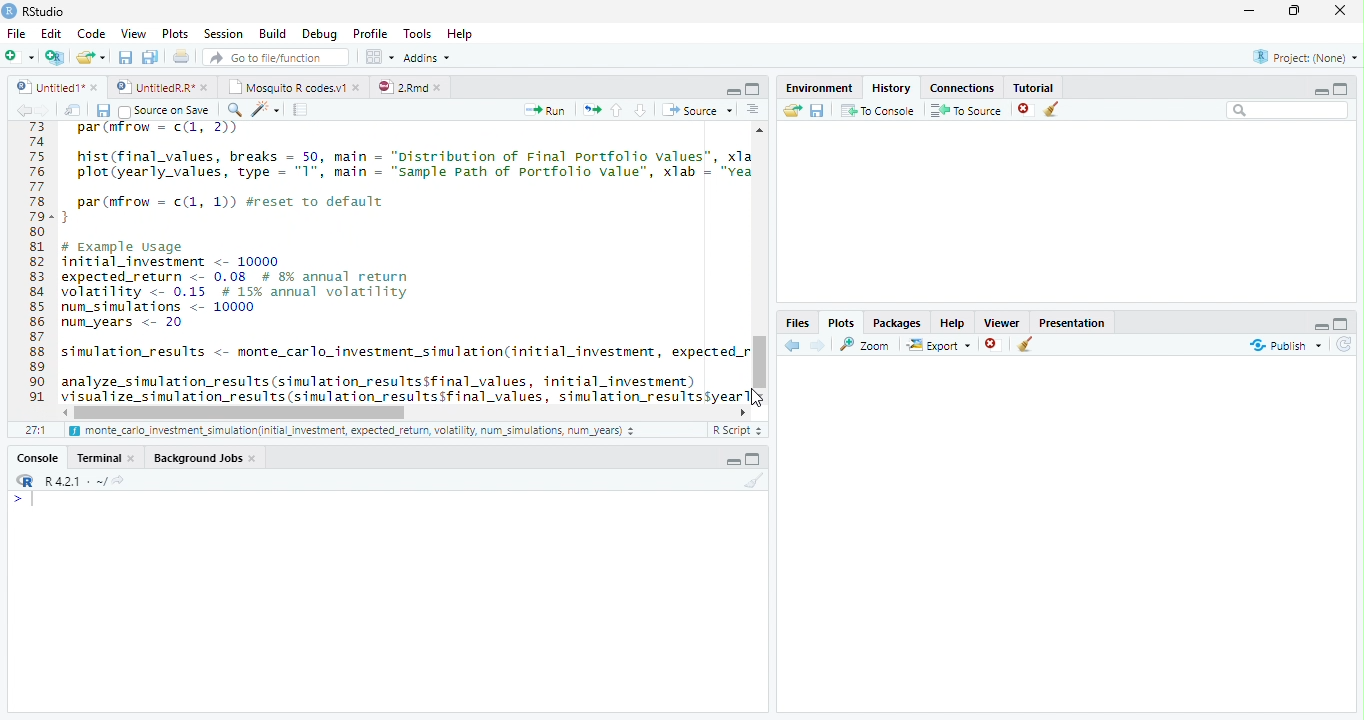 The image size is (1364, 720). What do you see at coordinates (1299, 12) in the screenshot?
I see `Maximize` at bounding box center [1299, 12].